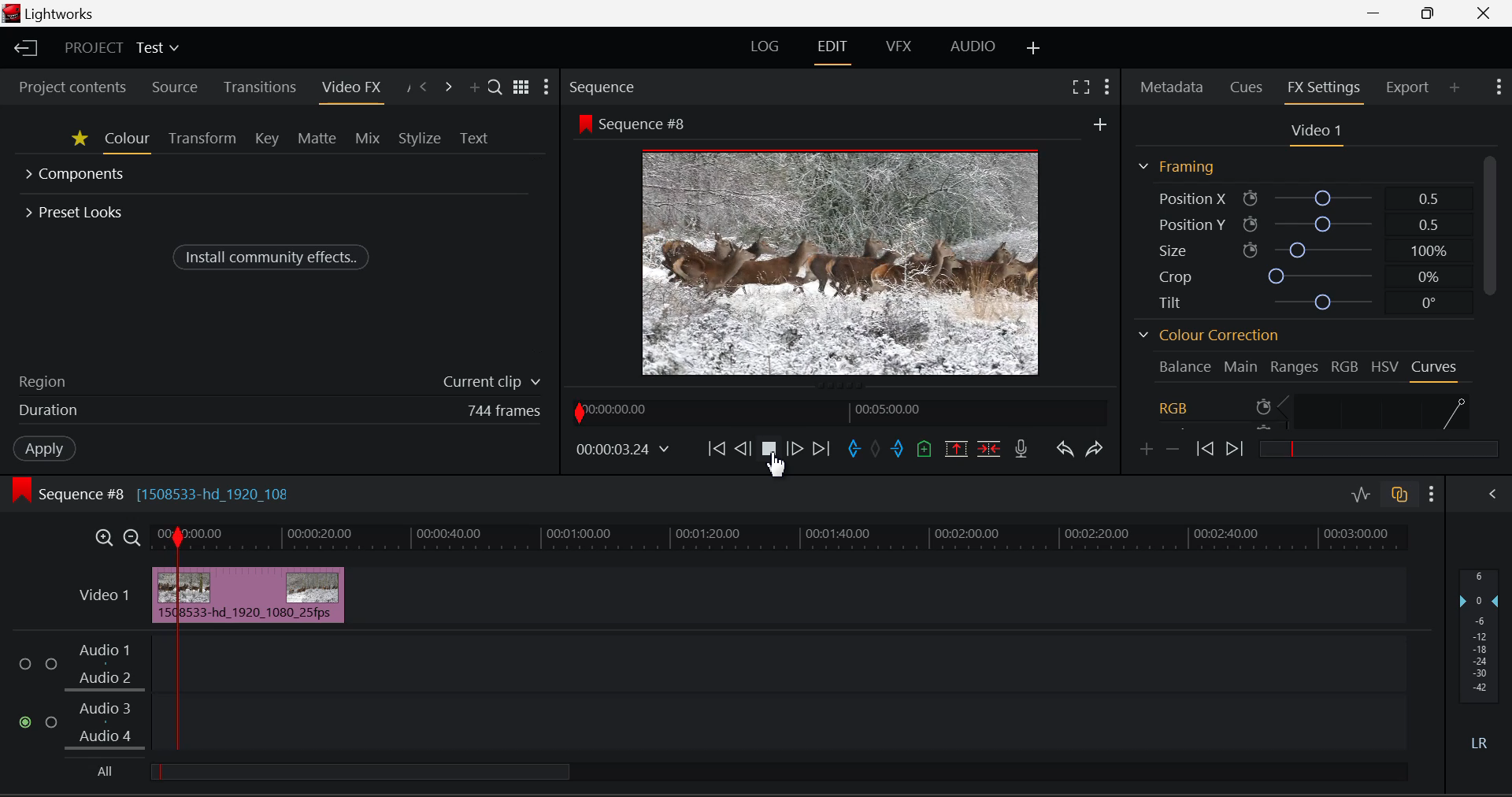  What do you see at coordinates (958, 448) in the screenshot?
I see `Remove Marked Section` at bounding box center [958, 448].